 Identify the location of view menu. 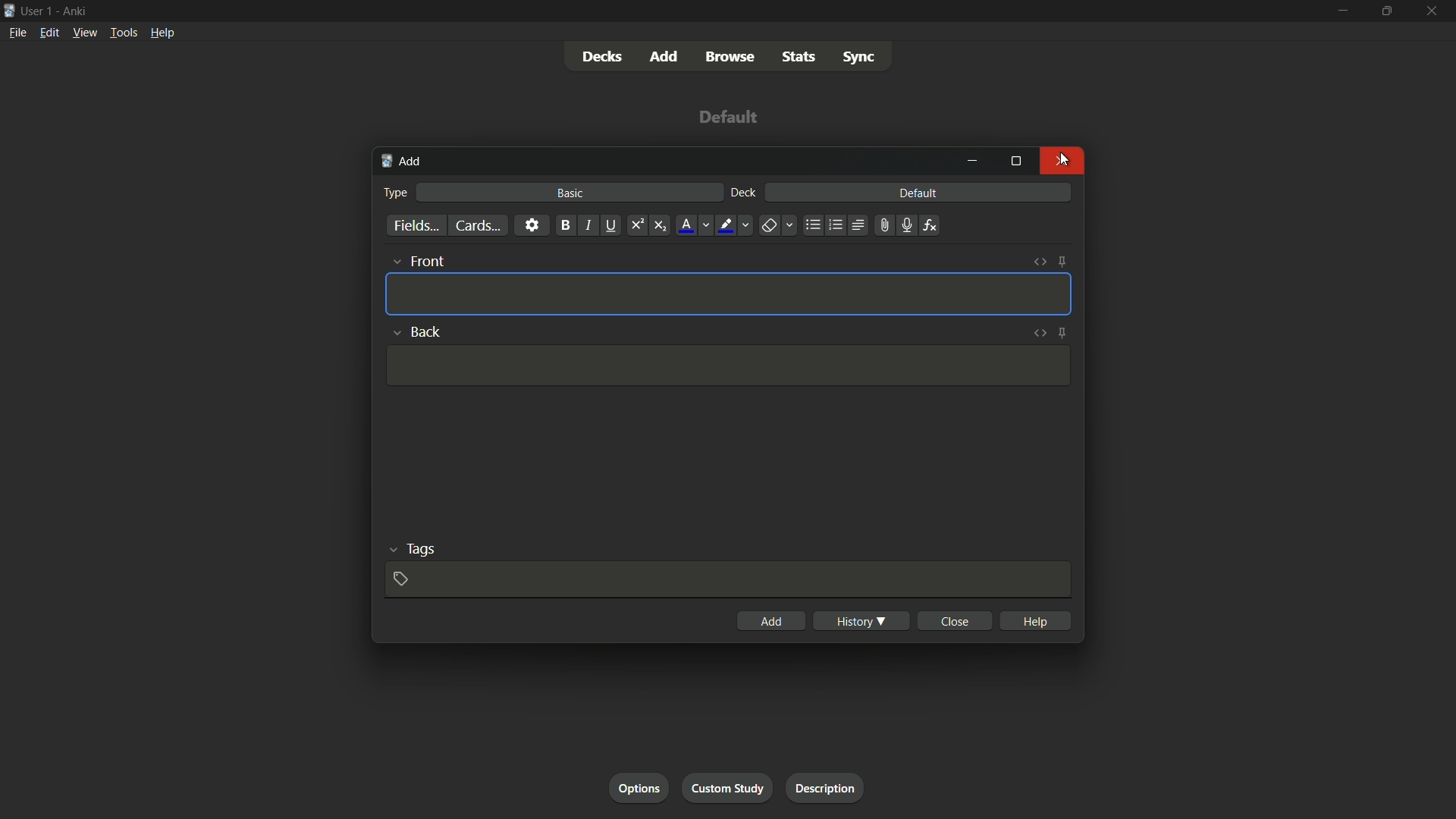
(84, 32).